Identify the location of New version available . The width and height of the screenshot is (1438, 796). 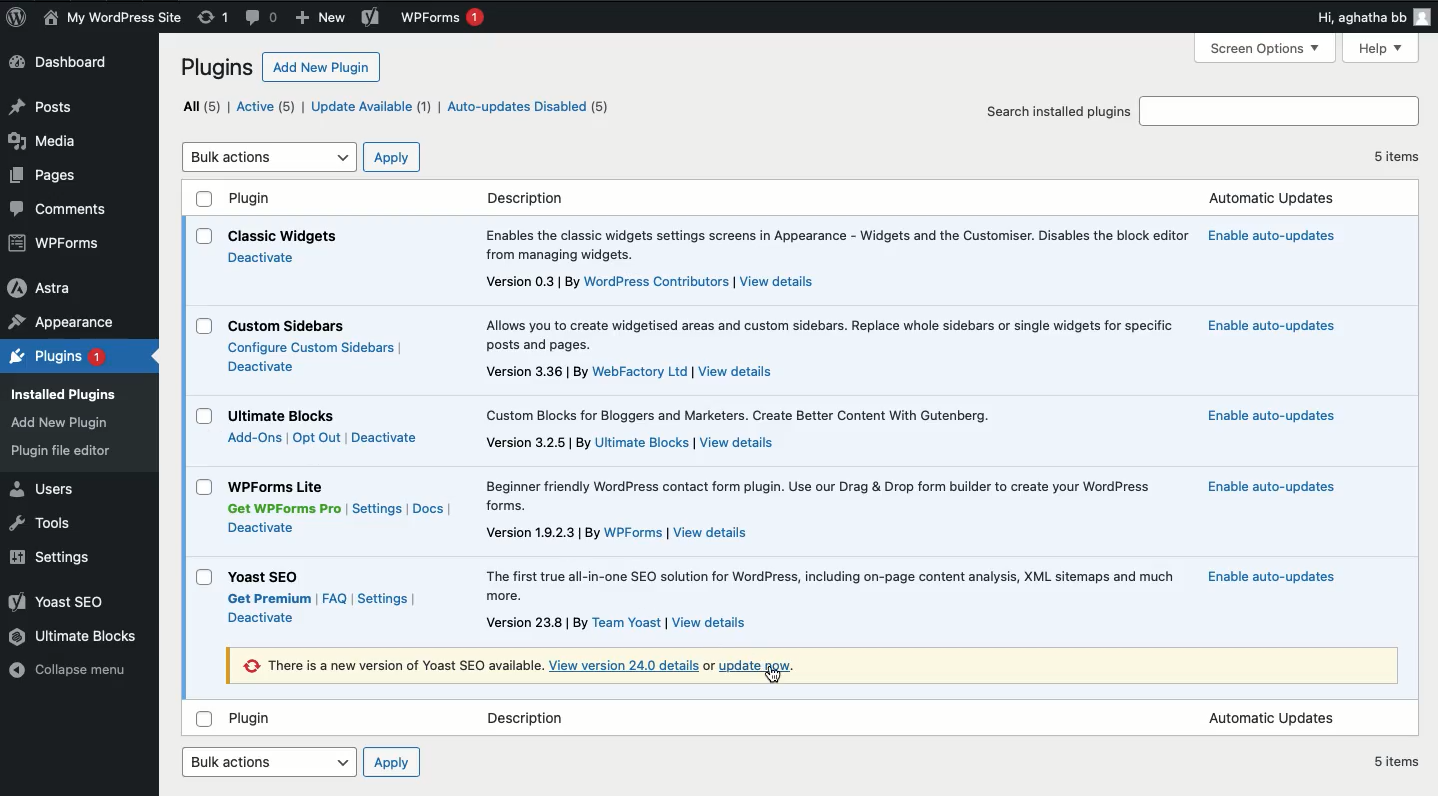
(392, 666).